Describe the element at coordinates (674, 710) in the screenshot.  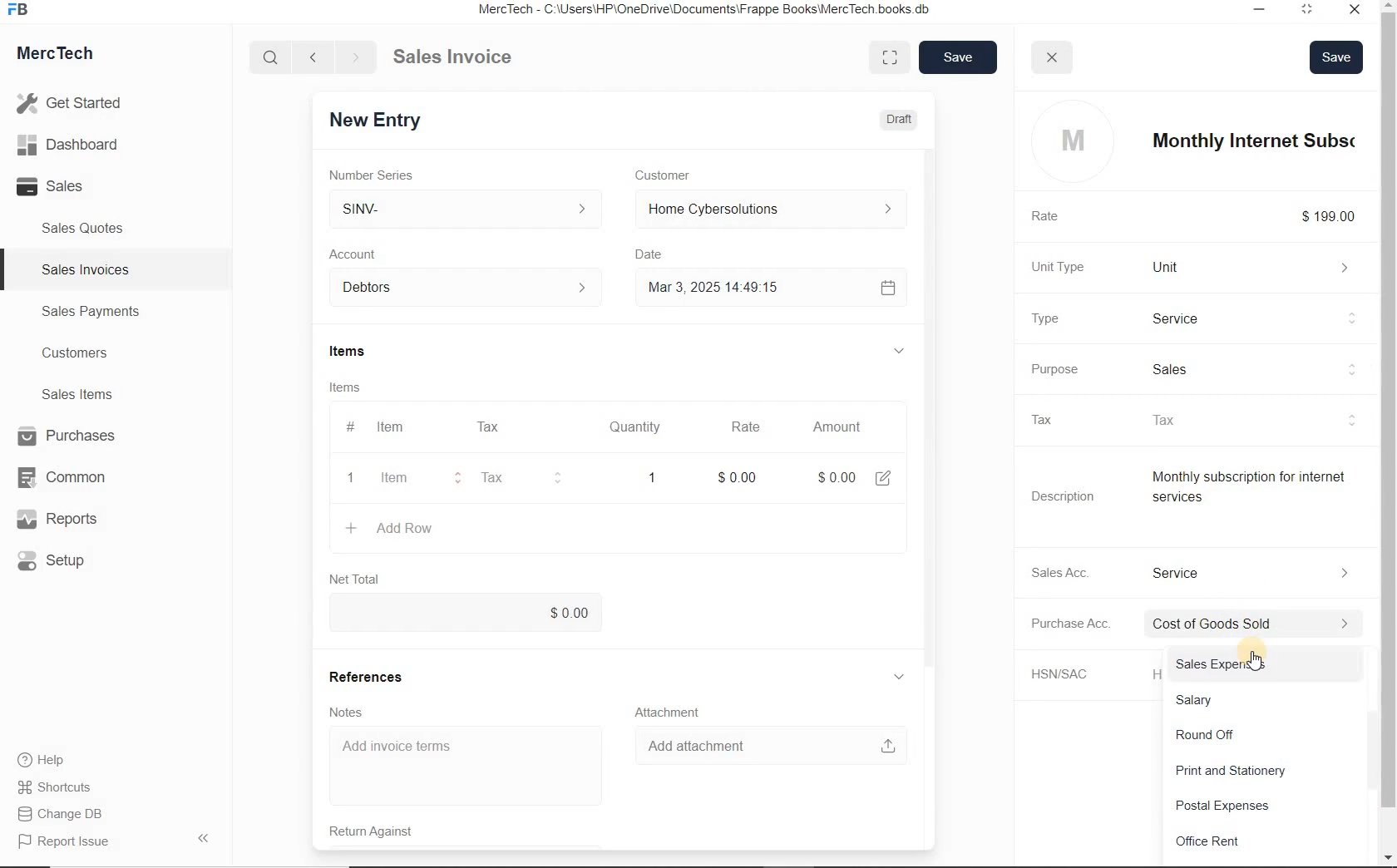
I see `Attachment` at that location.